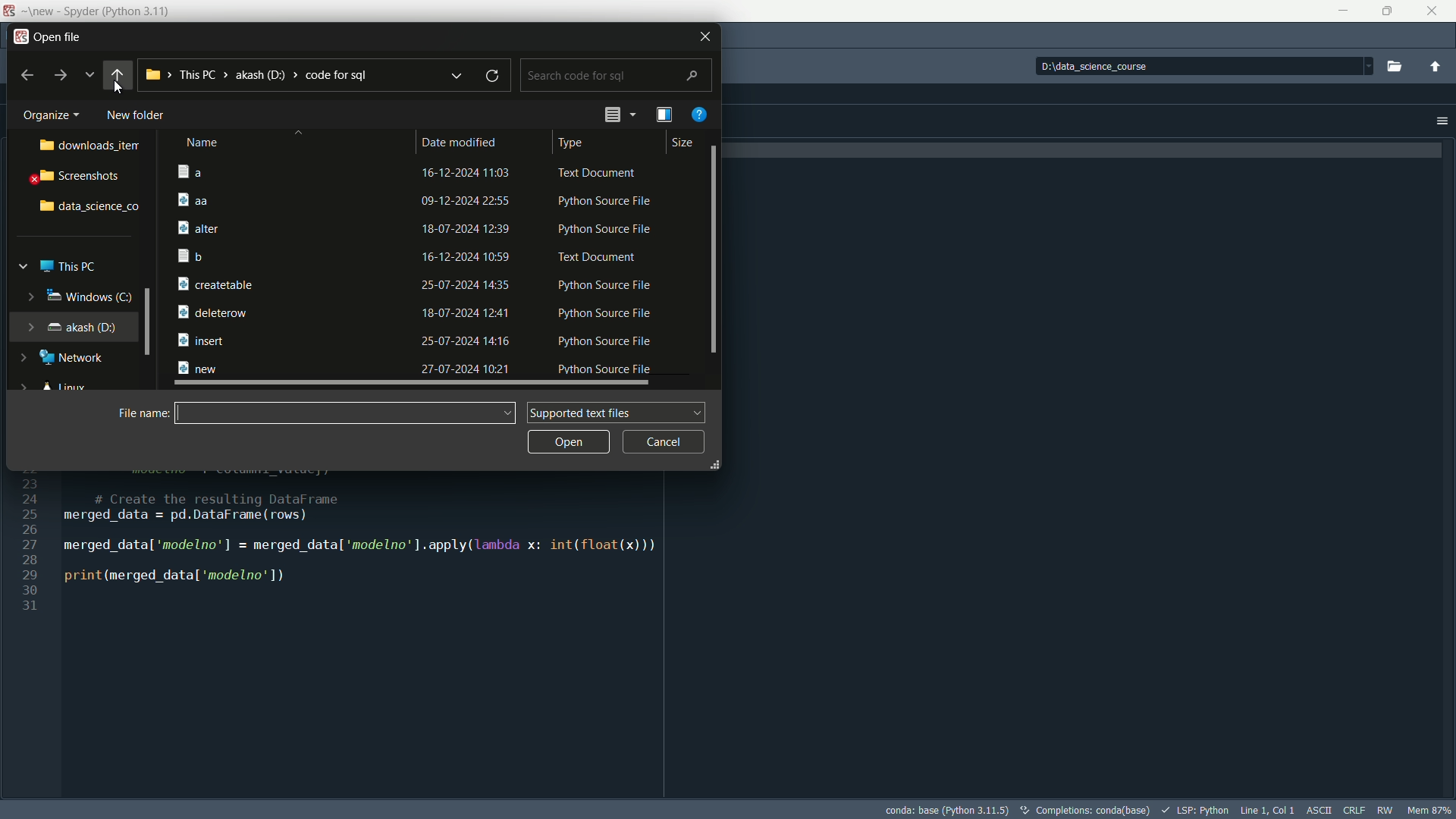 The image size is (1456, 819). What do you see at coordinates (195, 230) in the screenshot?
I see `alter` at bounding box center [195, 230].